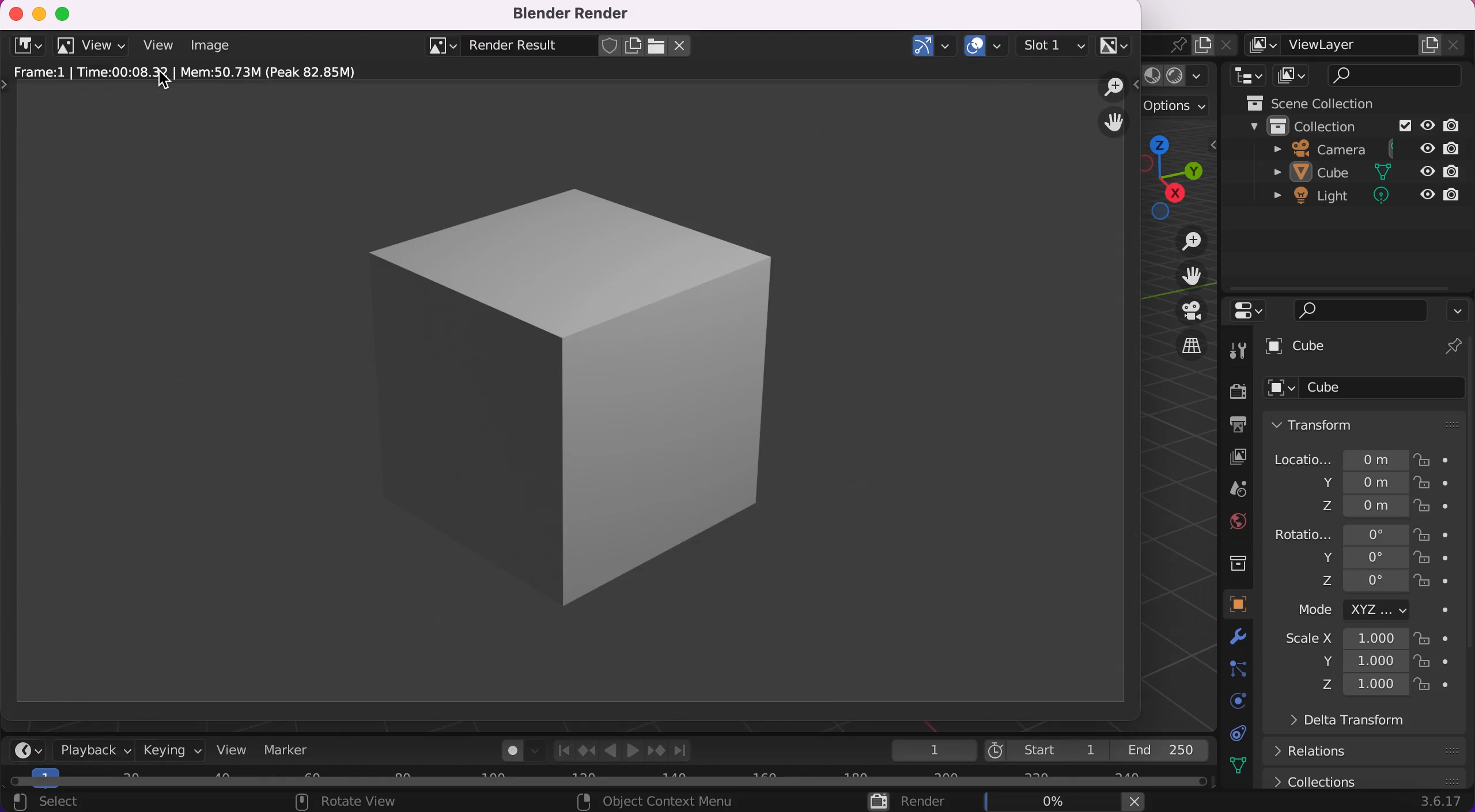 This screenshot has width=1475, height=812. Describe the element at coordinates (1232, 639) in the screenshot. I see `modifiers` at that location.